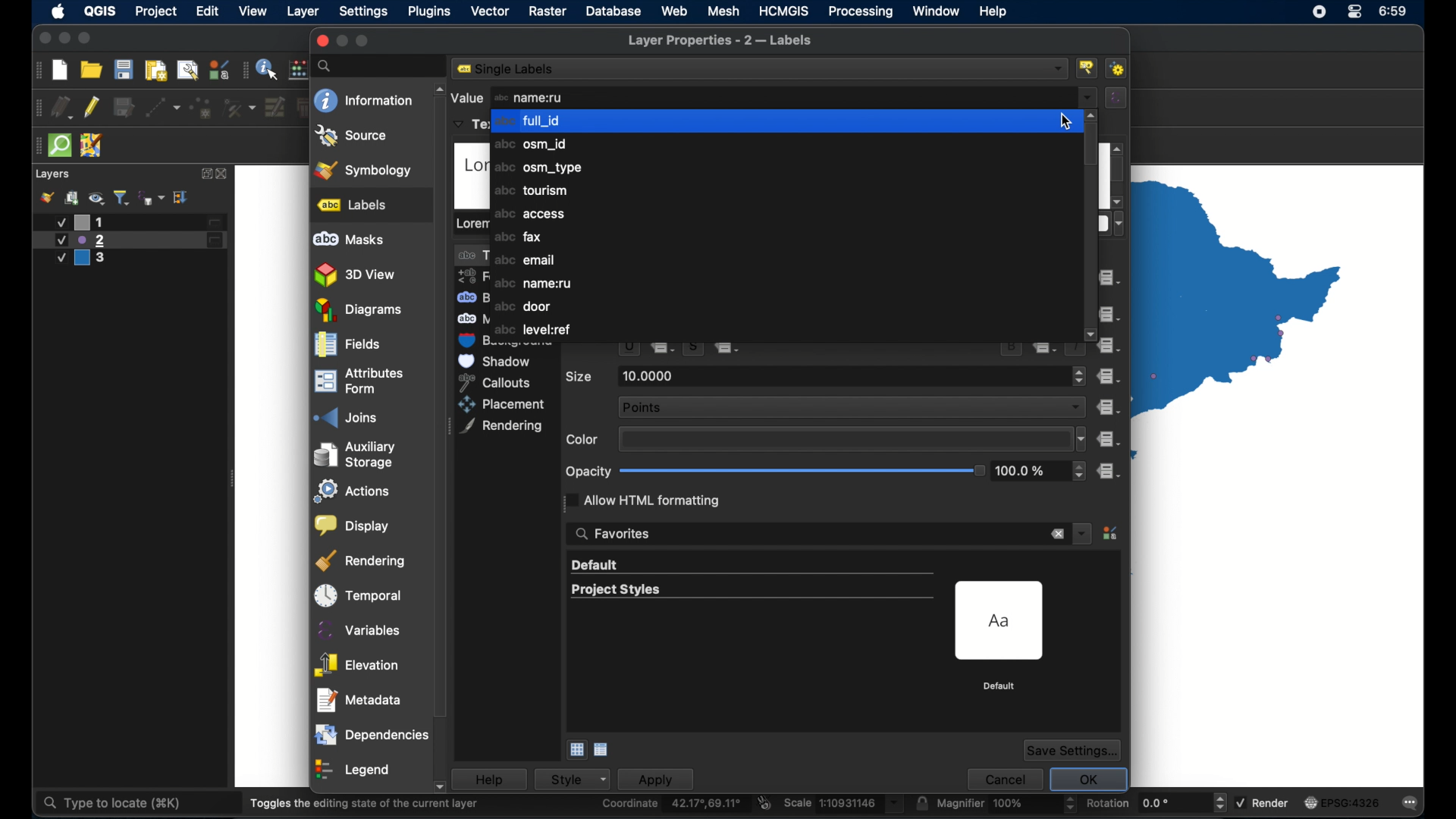 Image resolution: width=1456 pixels, height=819 pixels. I want to click on color preview, so click(842, 439).